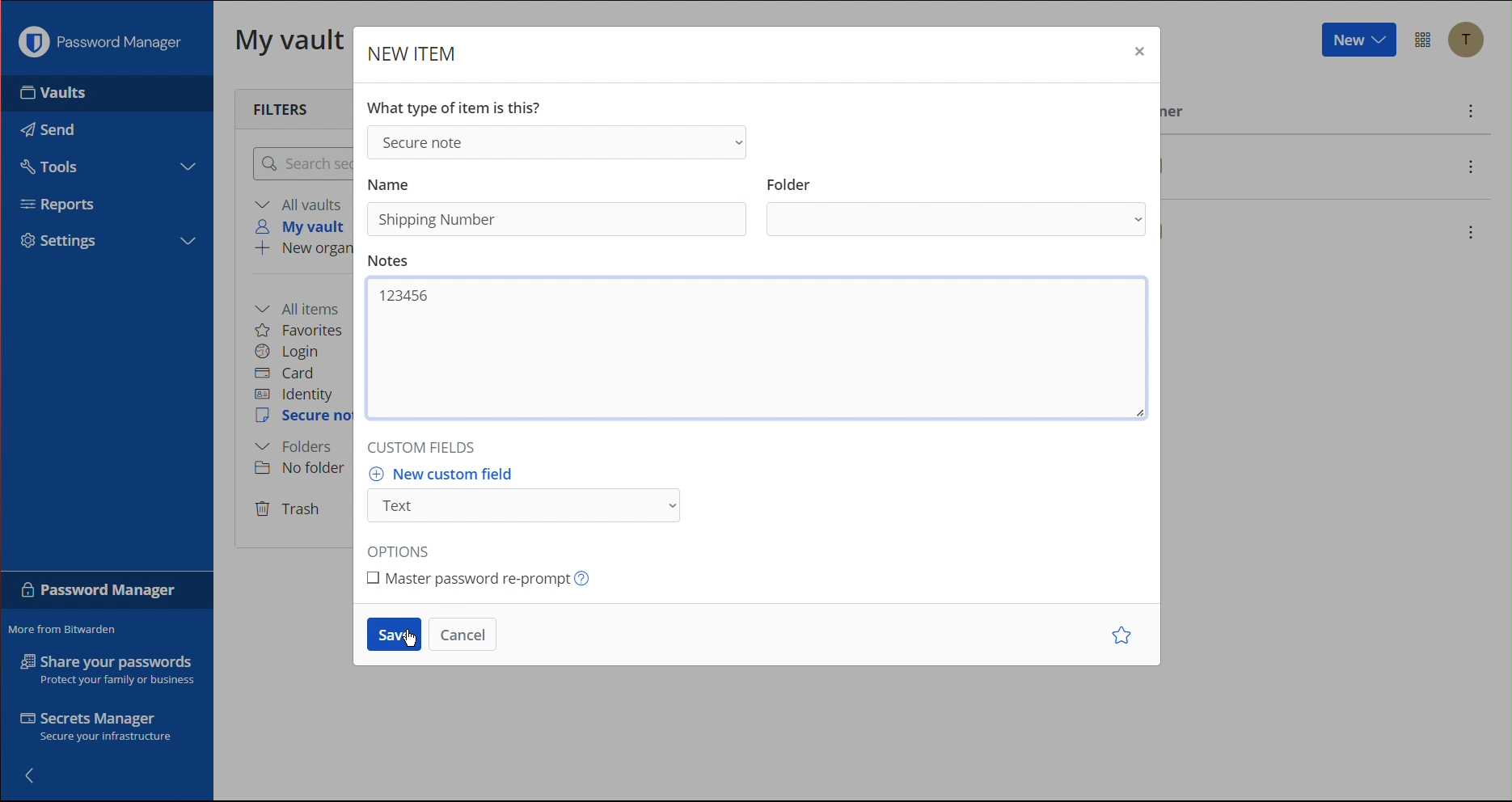  Describe the element at coordinates (411, 644) in the screenshot. I see `cursor` at that location.